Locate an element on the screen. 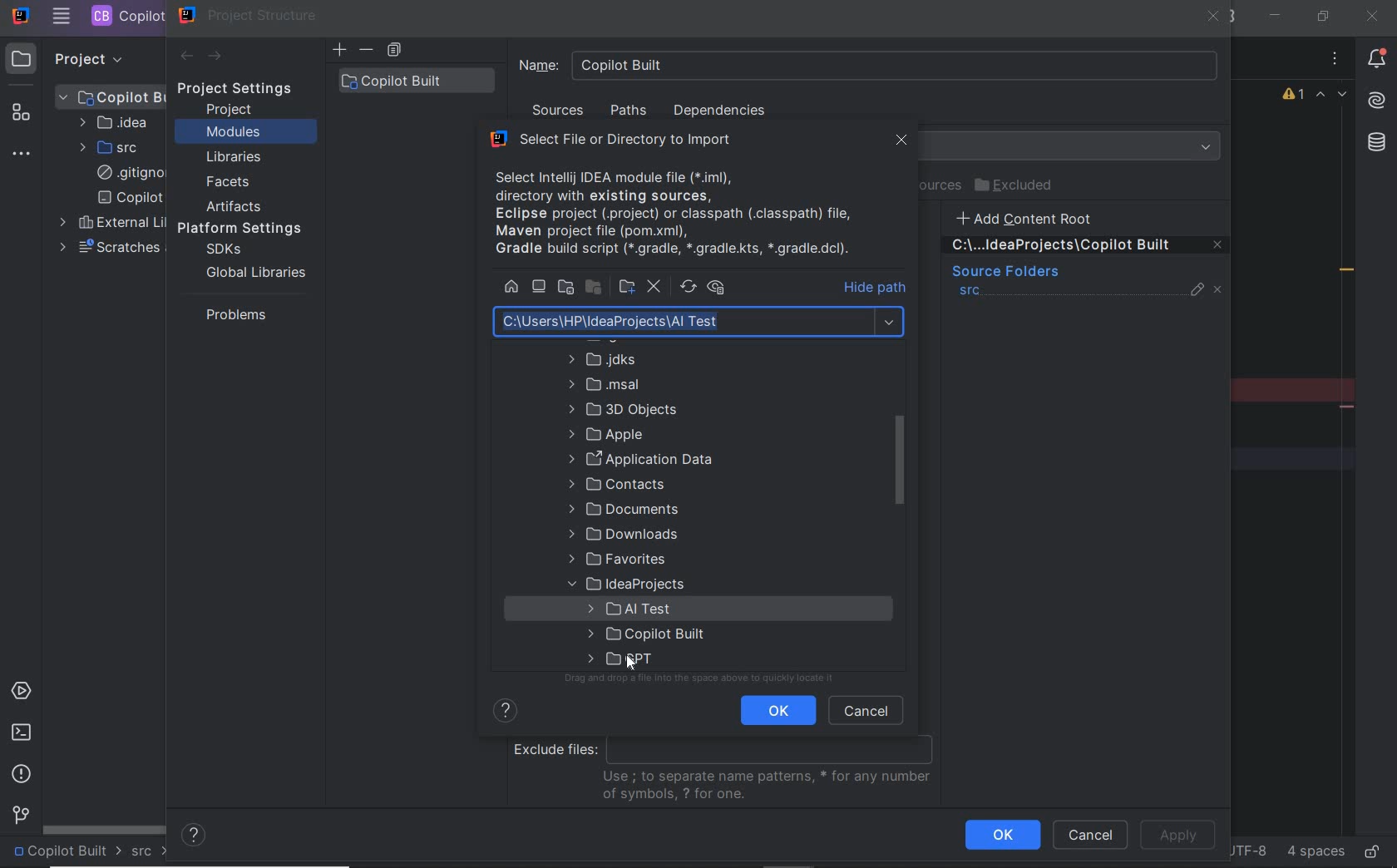 The image size is (1397, 868). sources folders is located at coordinates (1004, 273).